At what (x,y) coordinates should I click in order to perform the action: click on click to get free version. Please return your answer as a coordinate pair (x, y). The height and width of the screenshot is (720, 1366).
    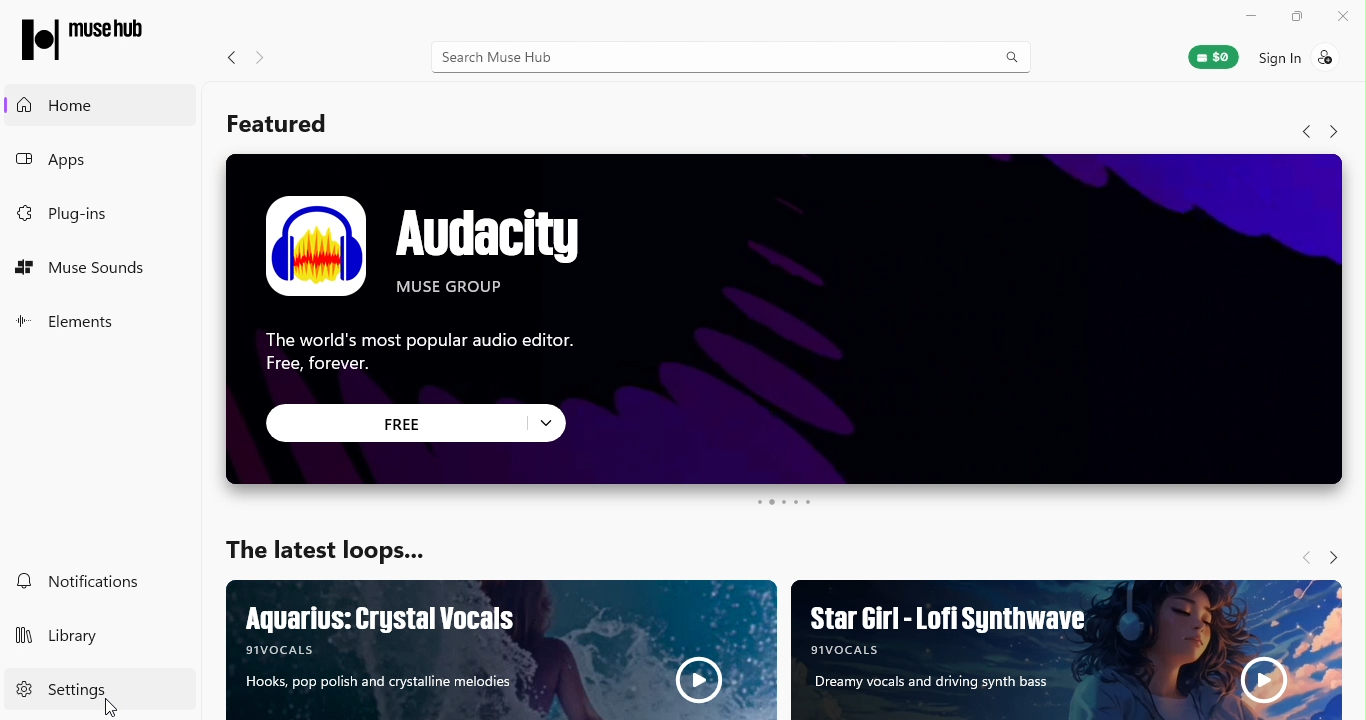
    Looking at the image, I should click on (397, 423).